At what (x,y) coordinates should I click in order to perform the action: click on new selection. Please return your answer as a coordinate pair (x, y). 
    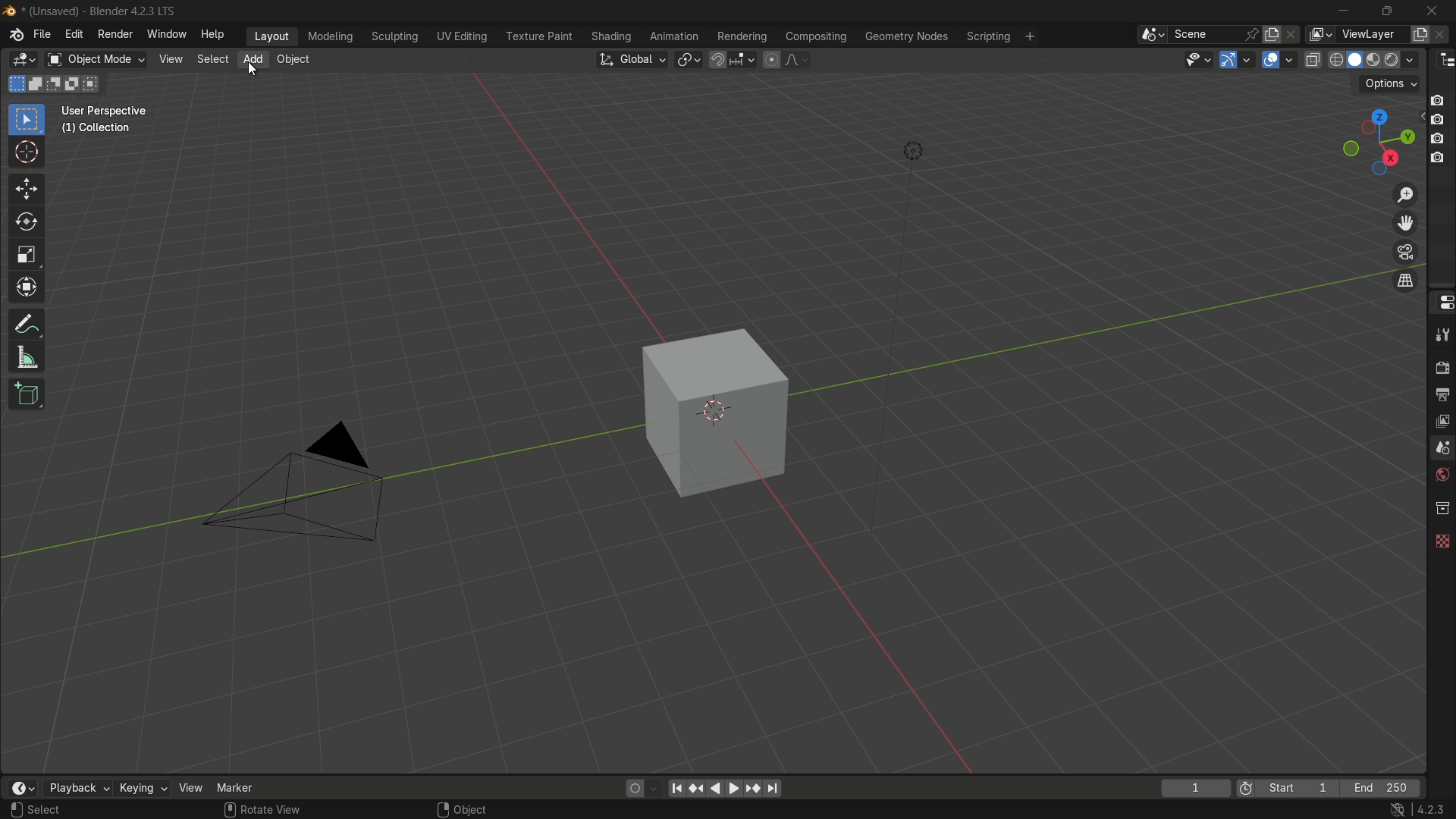
    Looking at the image, I should click on (17, 84).